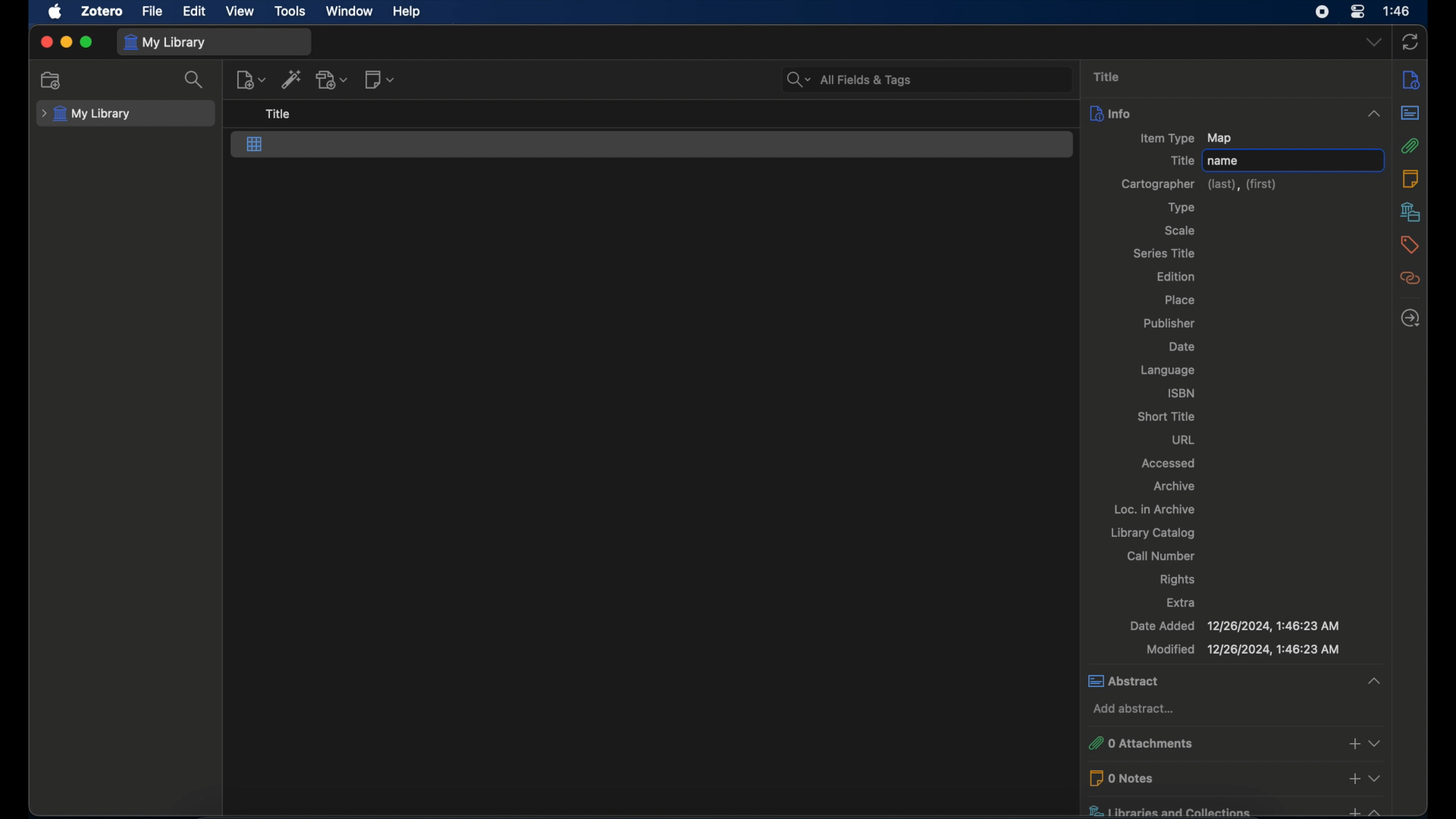  What do you see at coordinates (1179, 231) in the screenshot?
I see `scale` at bounding box center [1179, 231].